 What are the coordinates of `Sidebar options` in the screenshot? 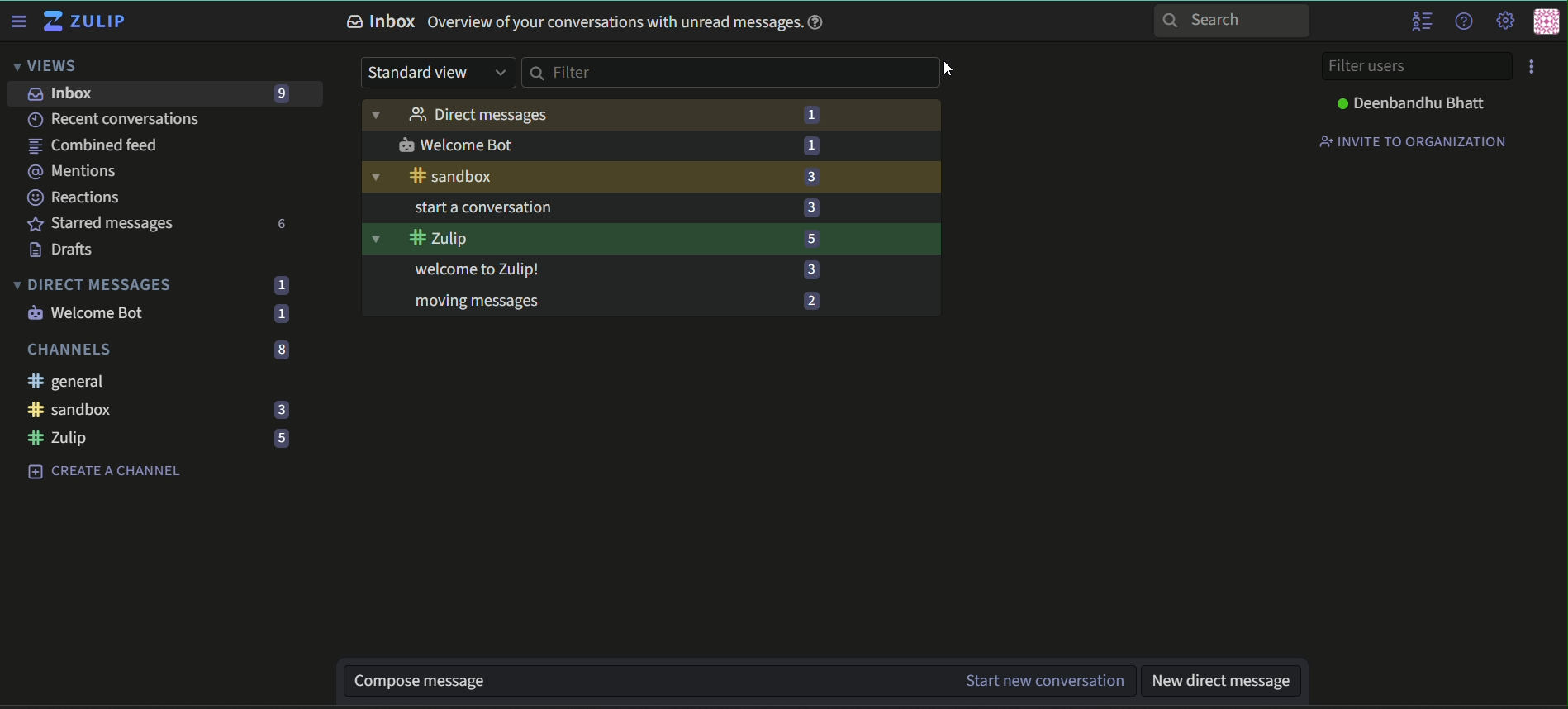 It's located at (19, 20).